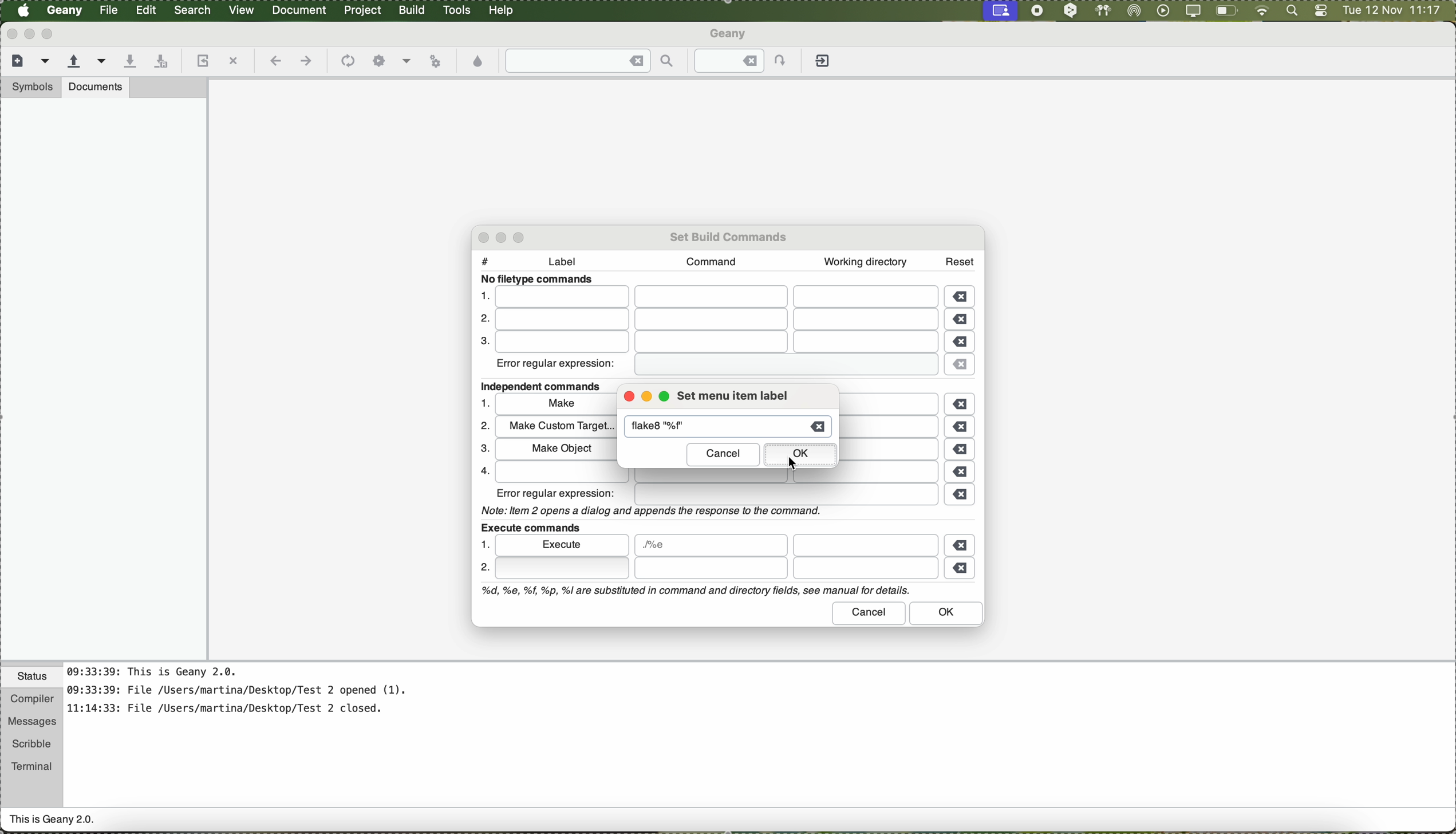 This screenshot has height=834, width=1456. I want to click on play, so click(1161, 10).